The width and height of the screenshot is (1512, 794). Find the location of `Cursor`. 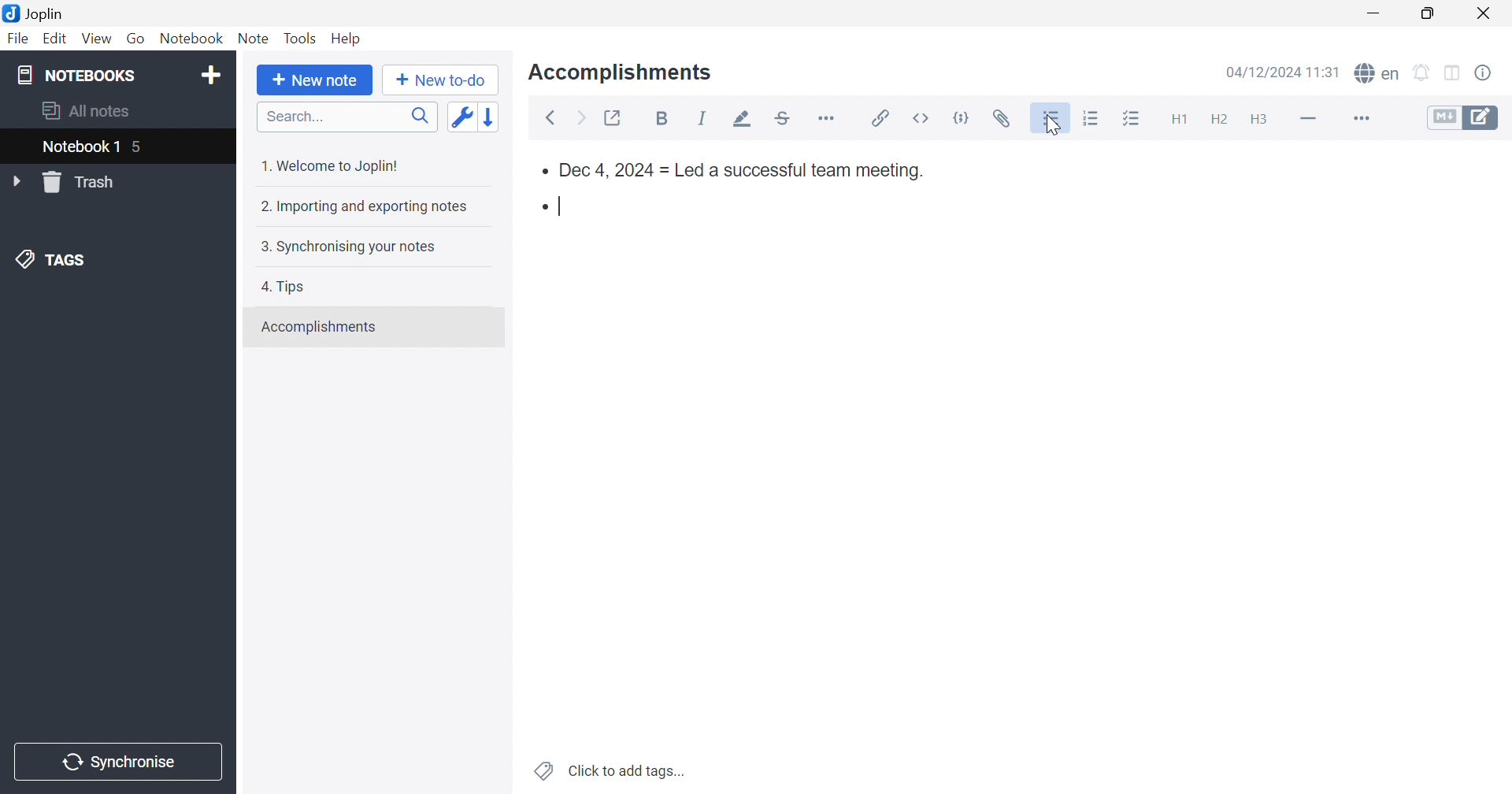

Cursor is located at coordinates (1048, 127).